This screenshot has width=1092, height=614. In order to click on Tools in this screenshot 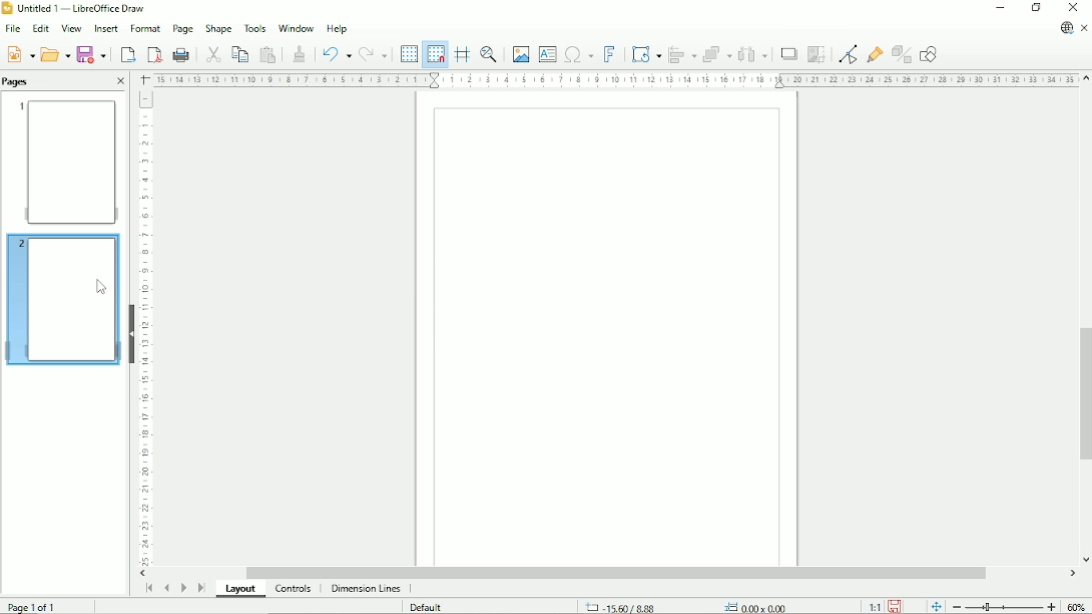, I will do `click(255, 27)`.